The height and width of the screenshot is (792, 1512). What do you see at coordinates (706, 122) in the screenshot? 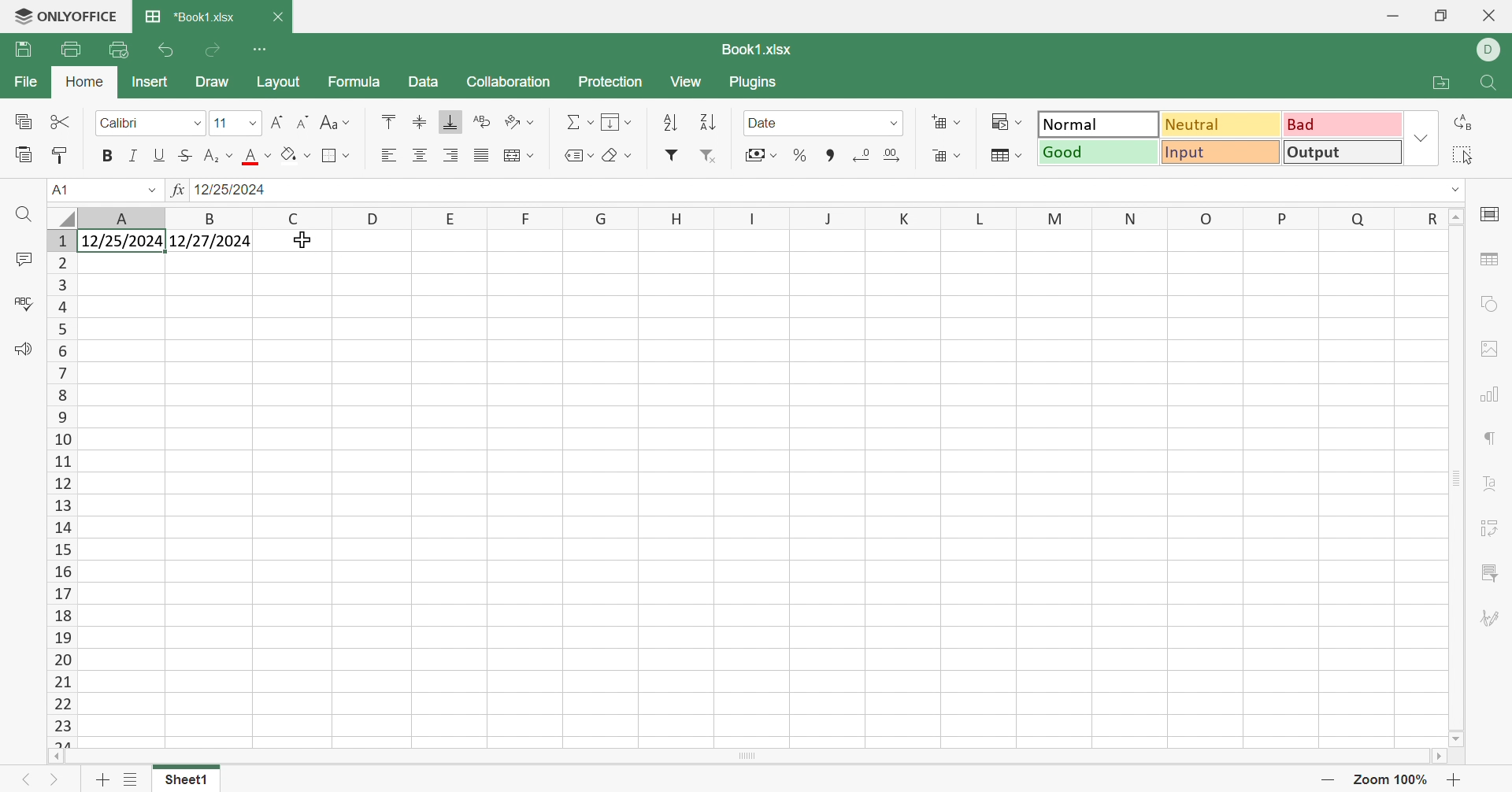
I see `Descending order` at bounding box center [706, 122].